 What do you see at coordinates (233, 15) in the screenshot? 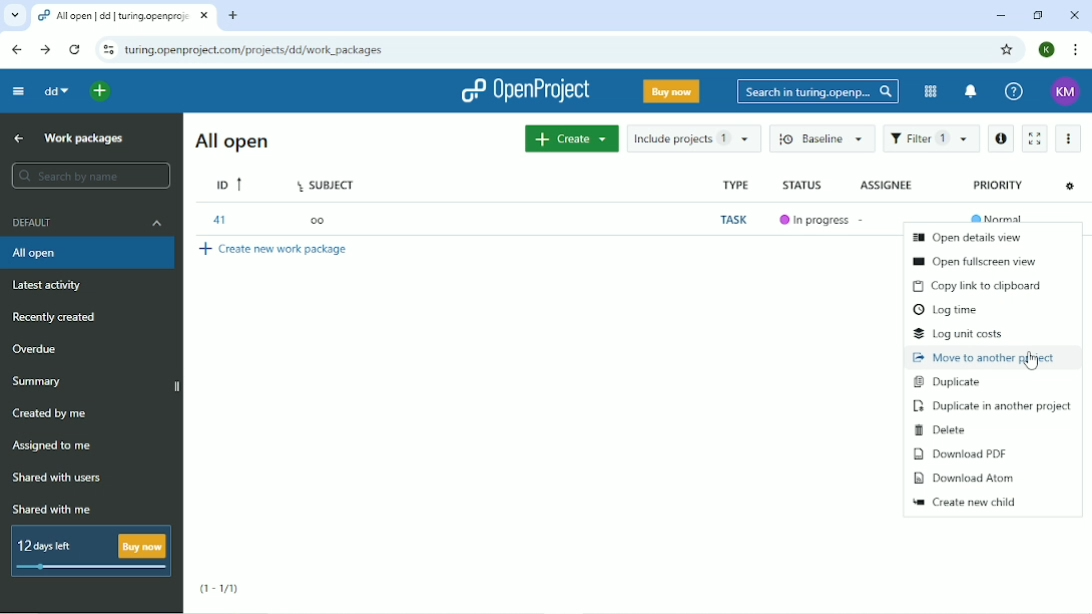
I see `New tab` at bounding box center [233, 15].